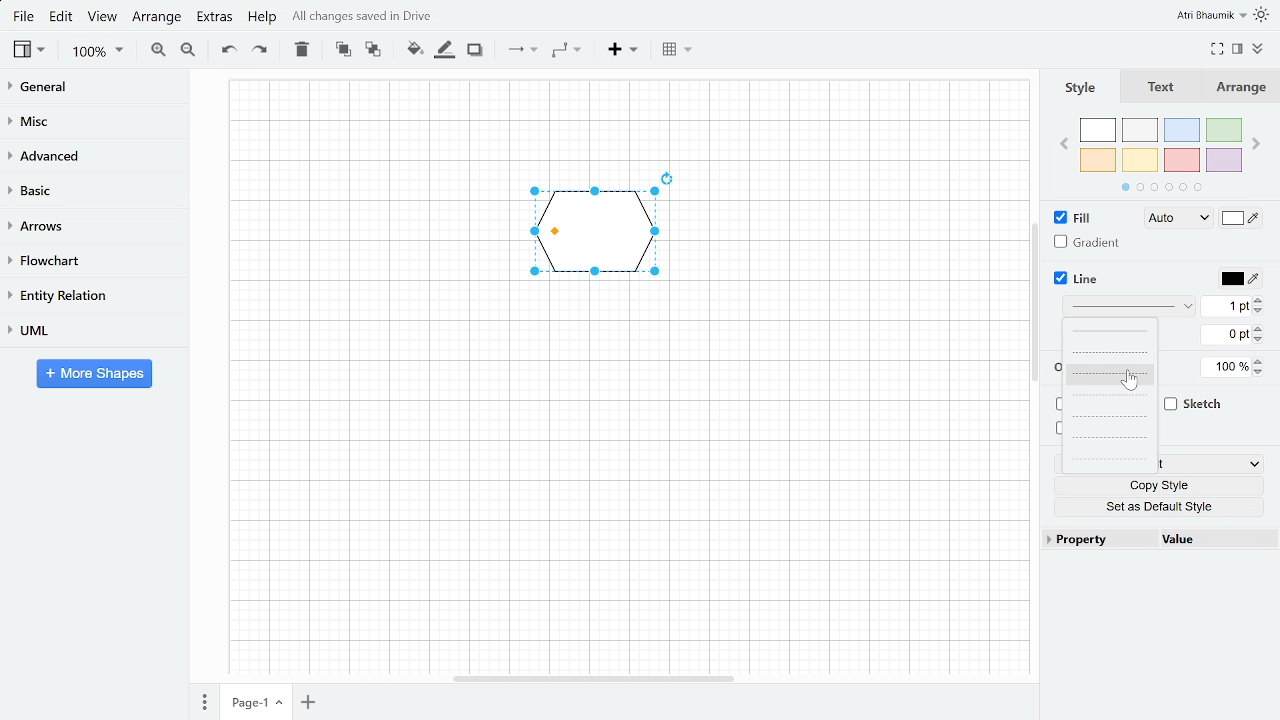 The width and height of the screenshot is (1280, 720). What do you see at coordinates (1237, 46) in the screenshot?
I see `Format` at bounding box center [1237, 46].